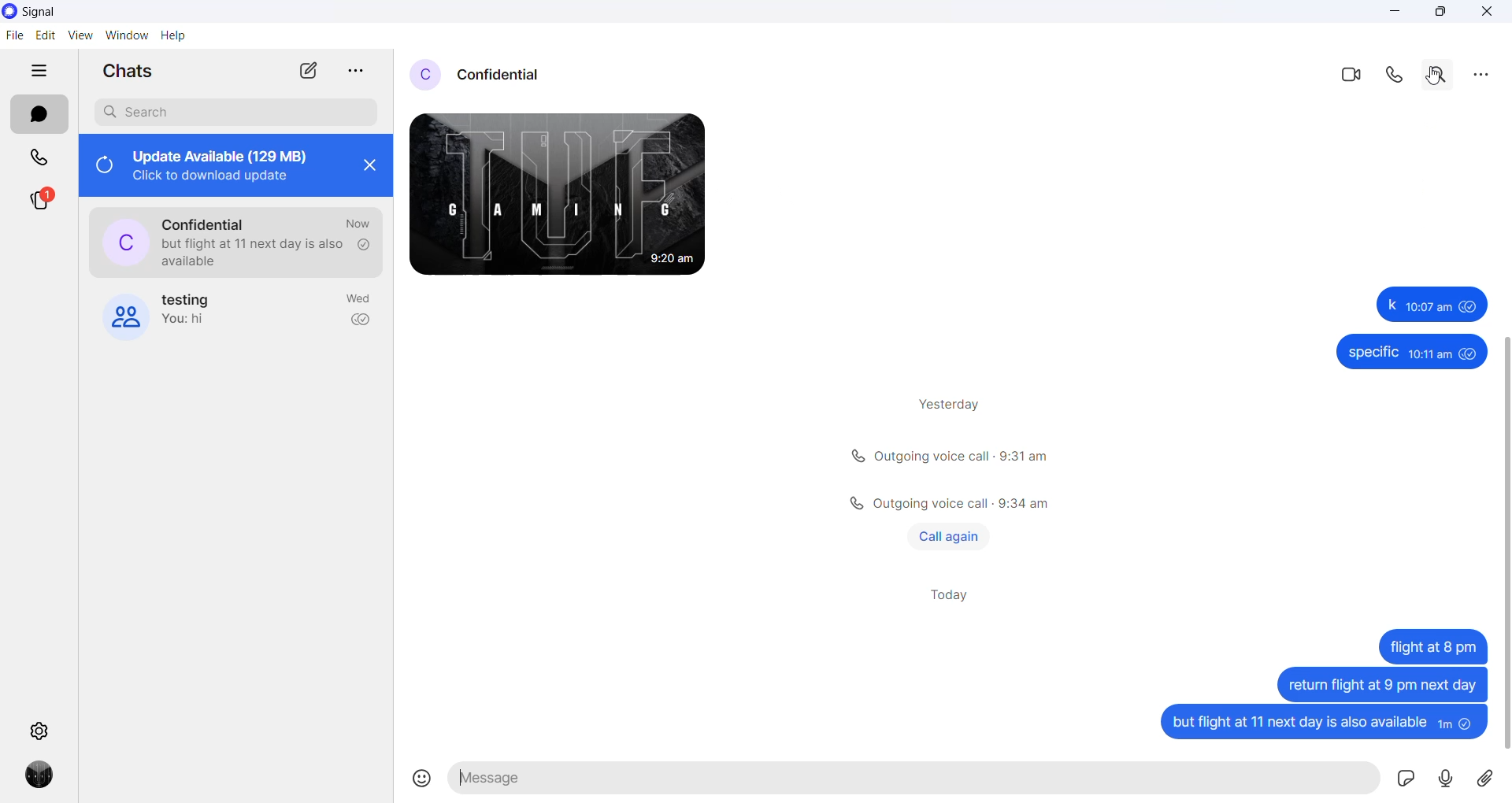  I want to click on today heading, so click(952, 599).